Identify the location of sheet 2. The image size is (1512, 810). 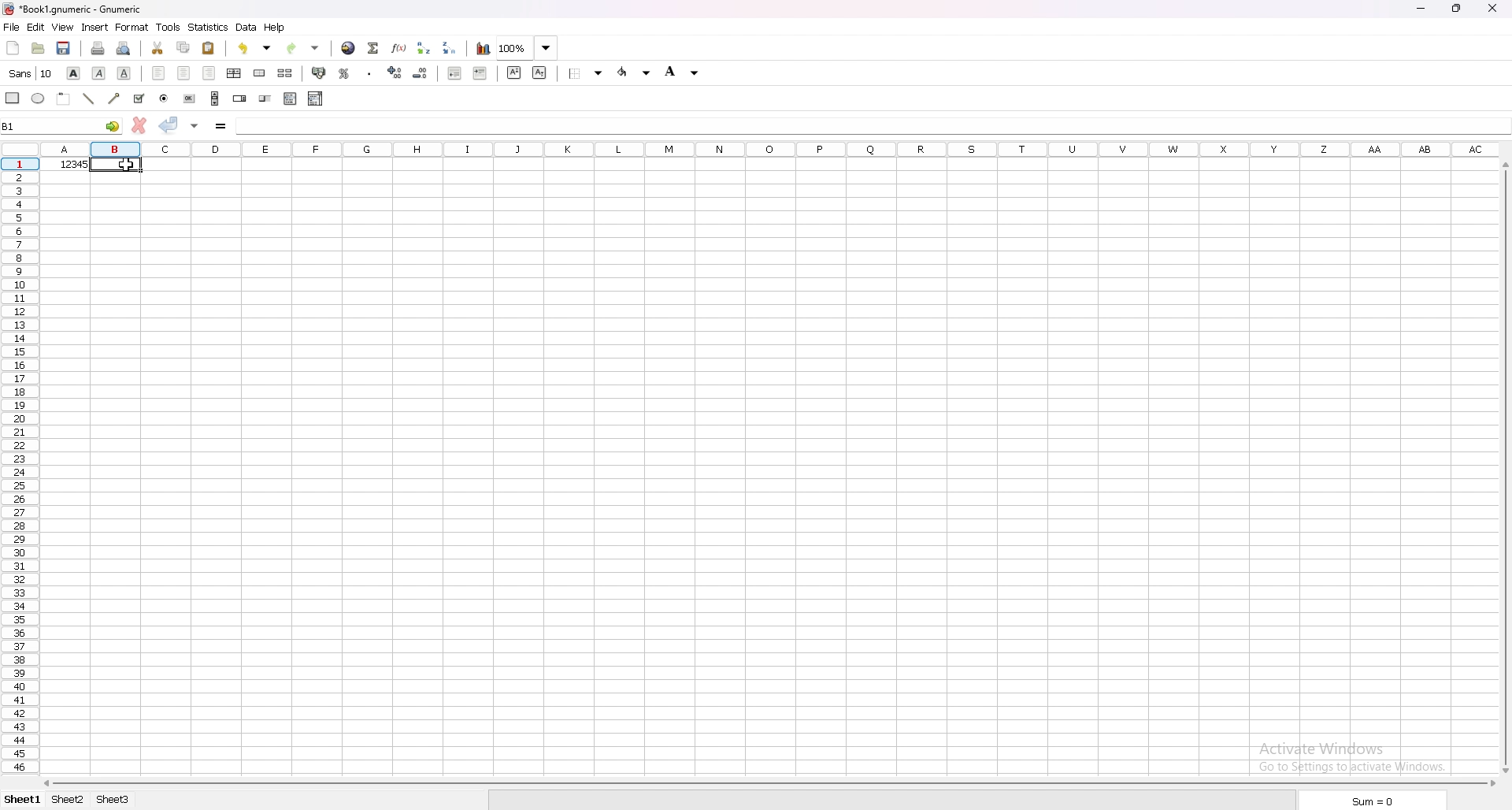
(66, 801).